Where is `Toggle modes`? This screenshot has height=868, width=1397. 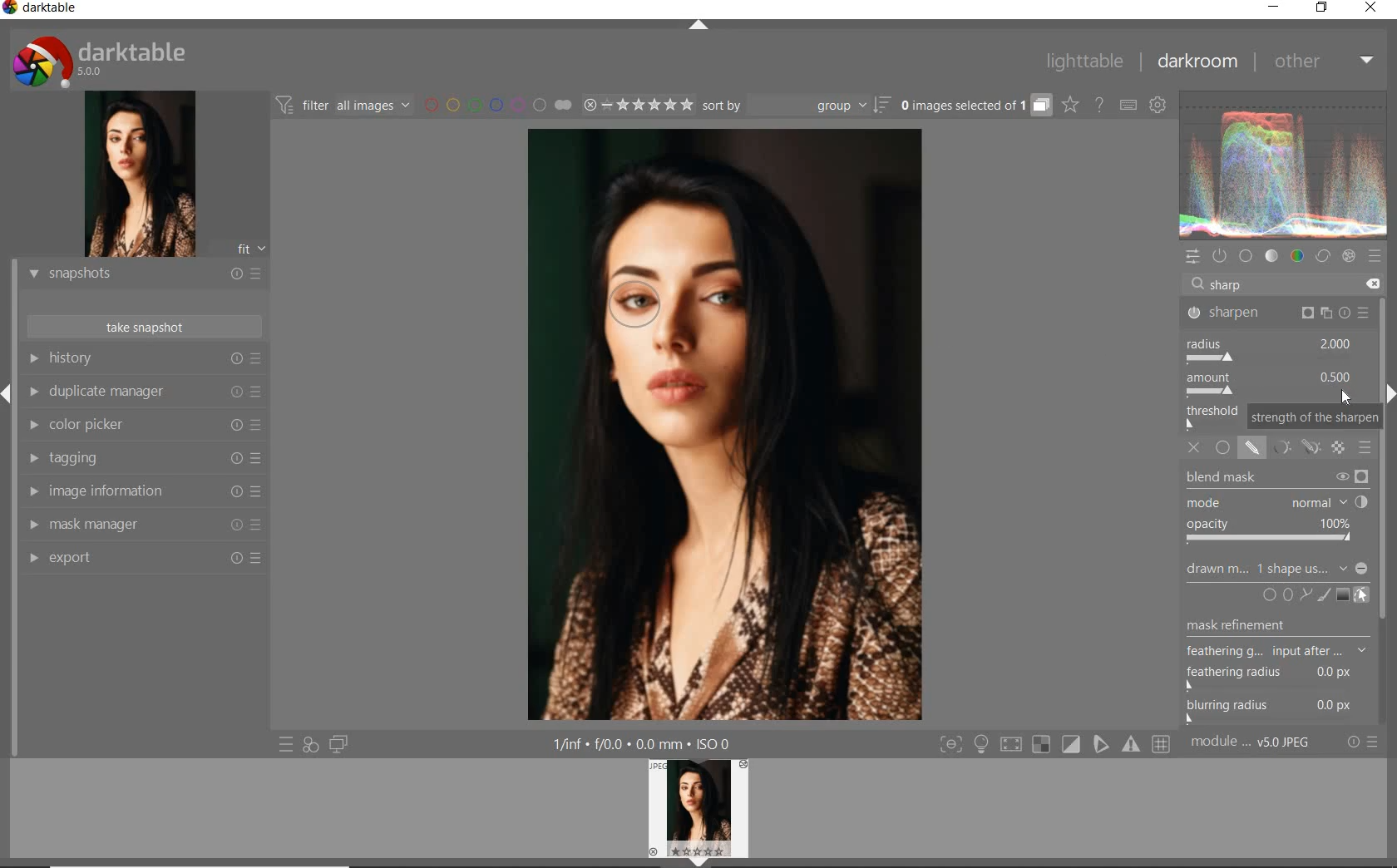 Toggle modes is located at coordinates (1054, 744).